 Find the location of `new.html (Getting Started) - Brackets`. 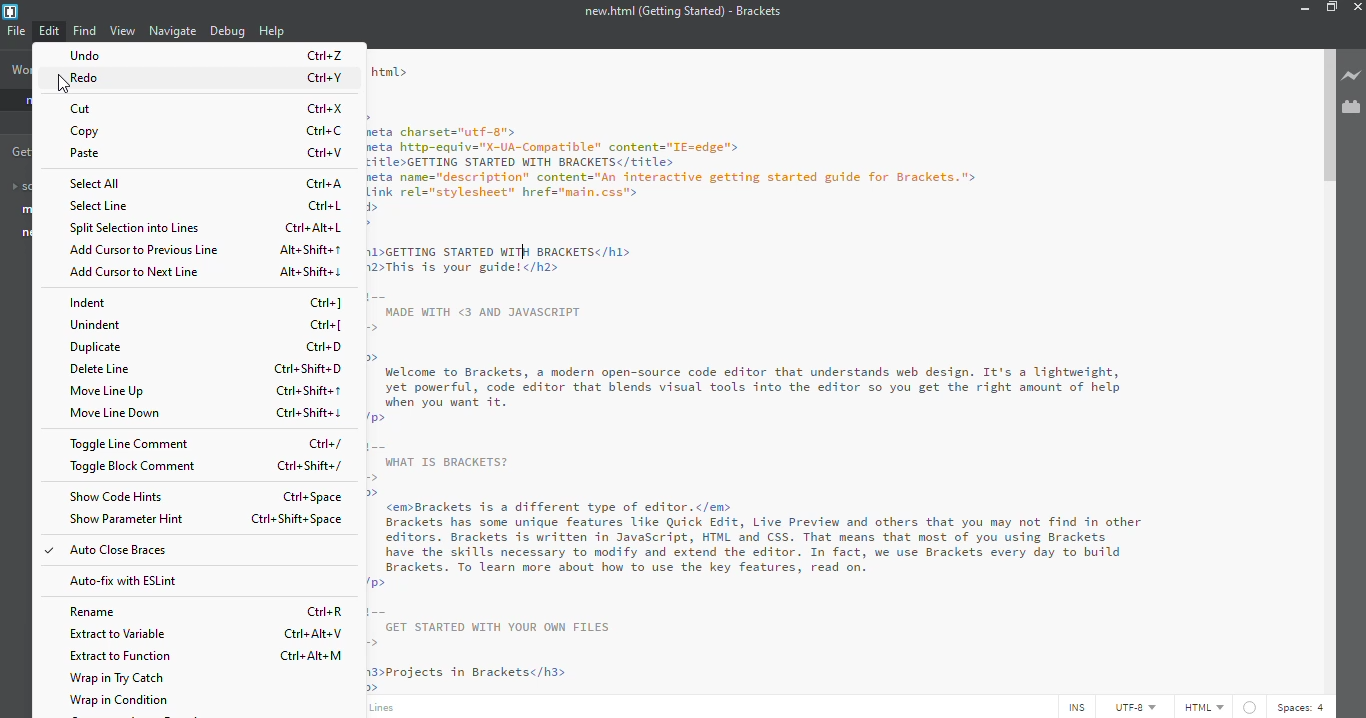

new.html (Getting Started) - Brackets is located at coordinates (683, 11).